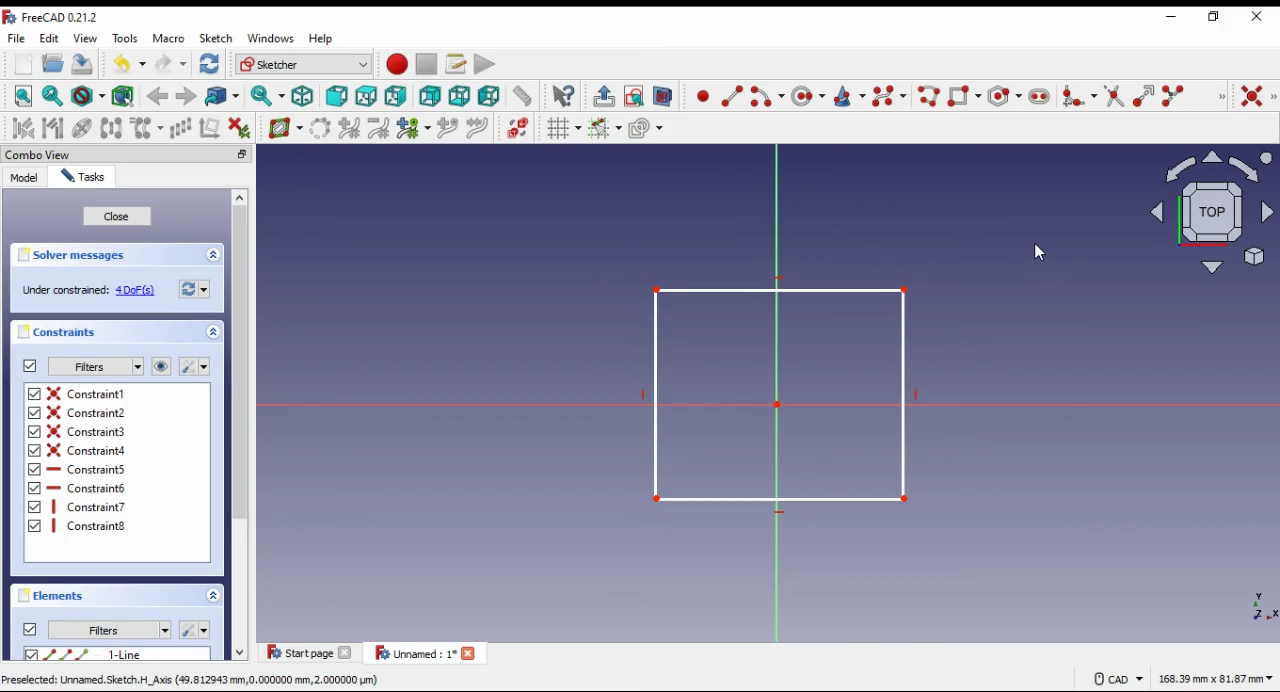 The width and height of the screenshot is (1280, 692). Describe the element at coordinates (194, 366) in the screenshot. I see `settings` at that location.